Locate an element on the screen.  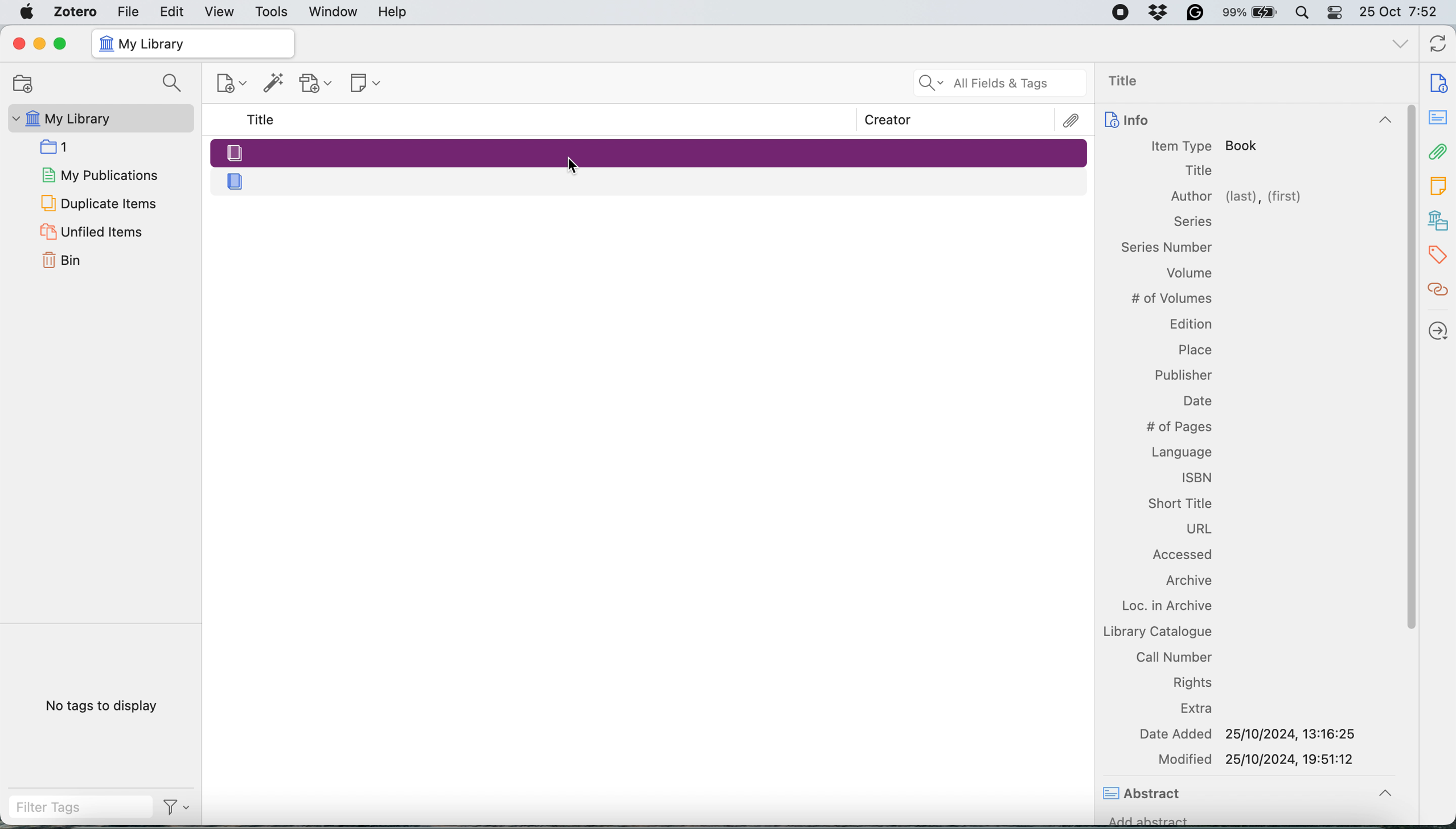
View is located at coordinates (221, 12).